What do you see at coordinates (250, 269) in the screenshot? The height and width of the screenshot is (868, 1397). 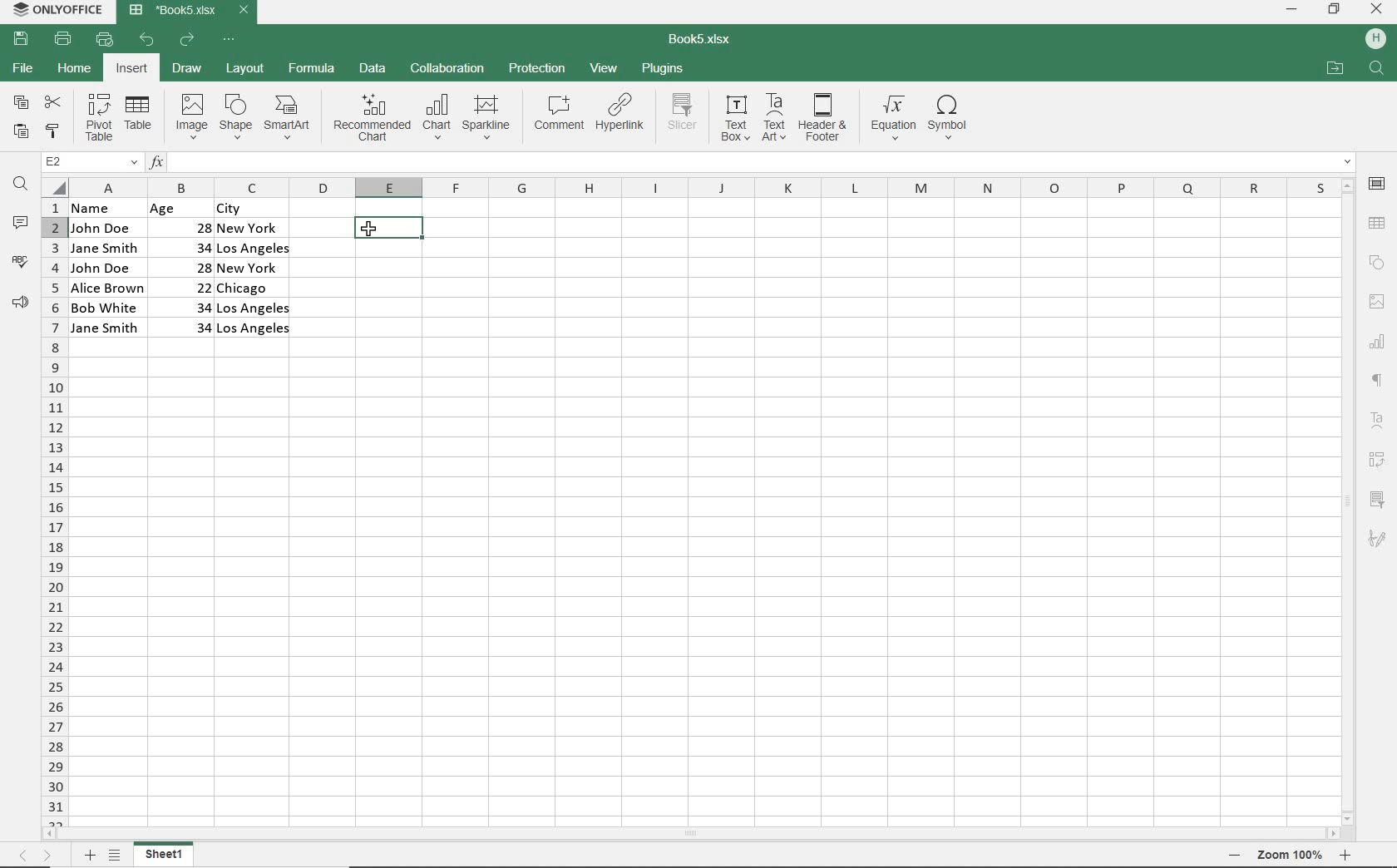 I see `New York` at bounding box center [250, 269].